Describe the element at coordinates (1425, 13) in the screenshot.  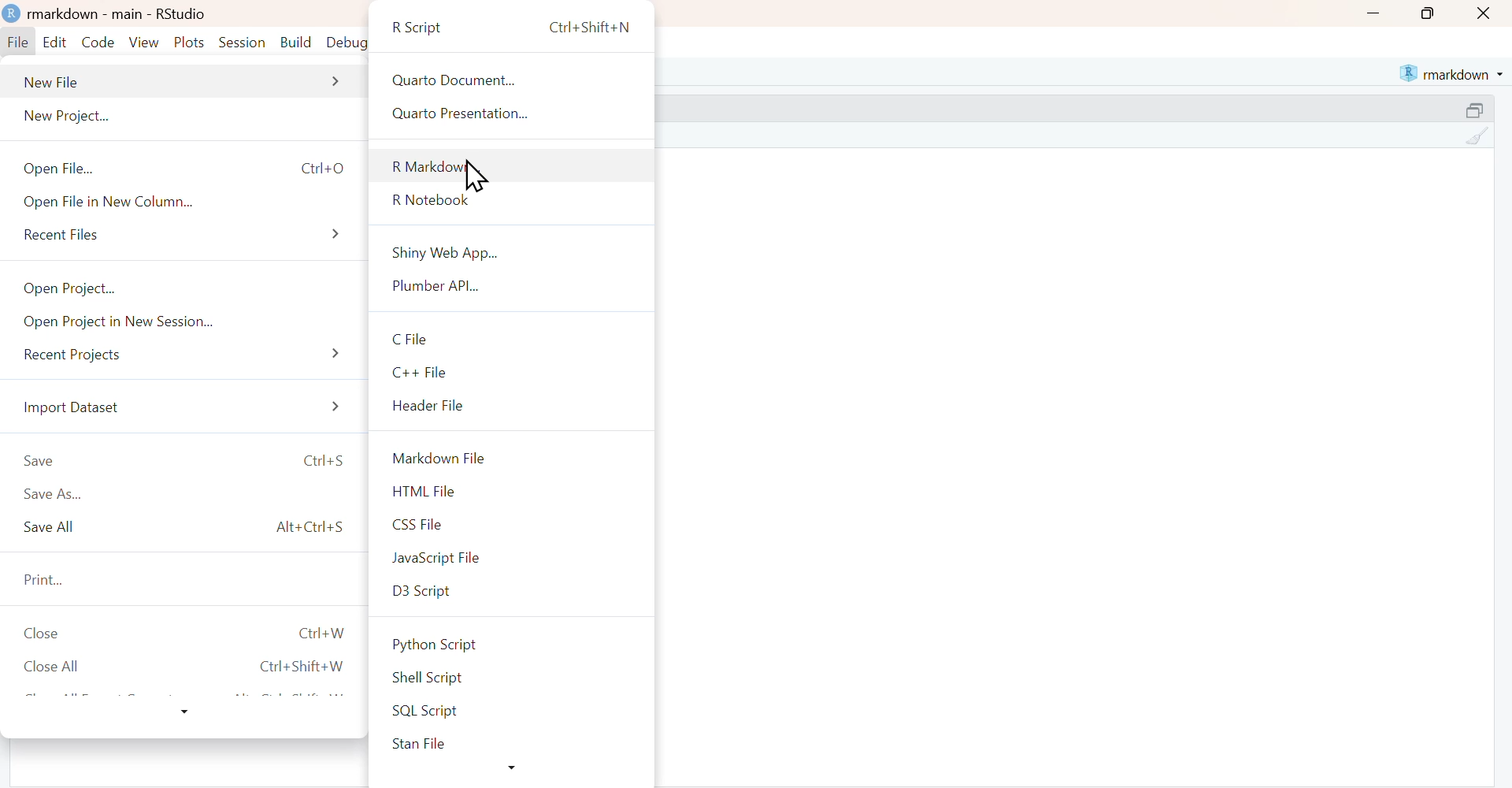
I see `maximize` at that location.